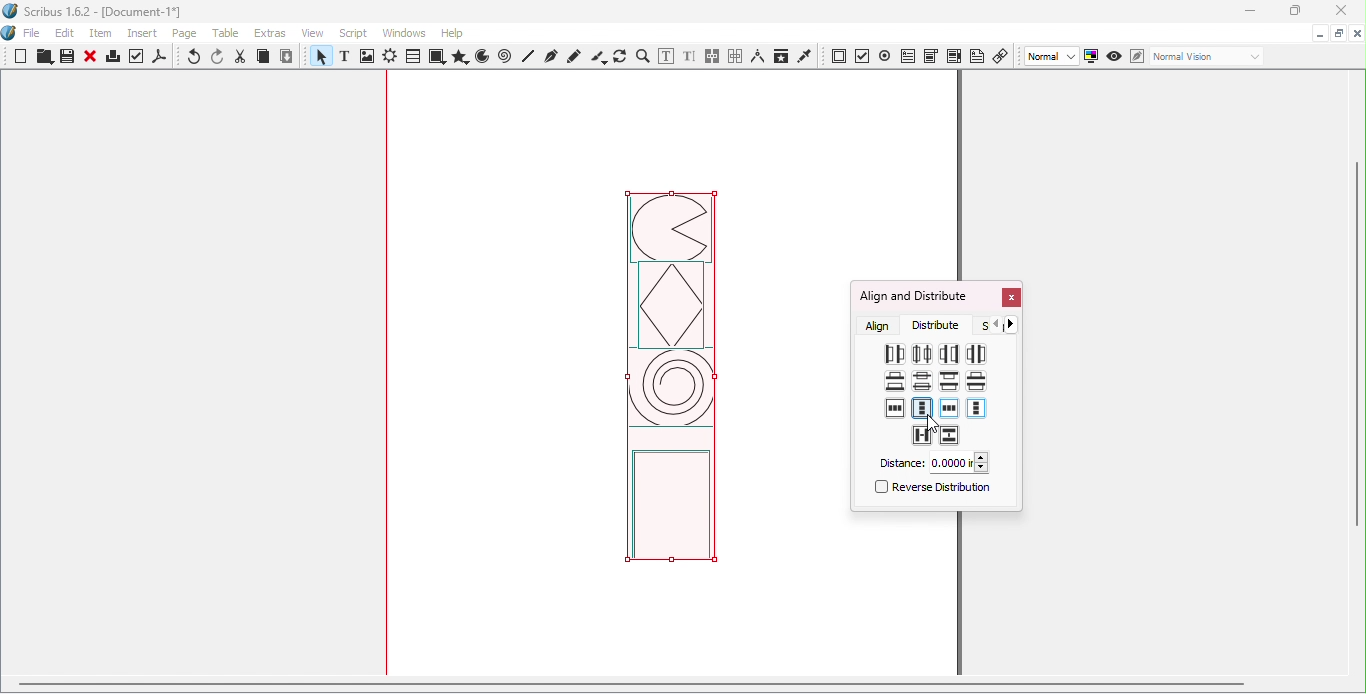  I want to click on Go forward, so click(1015, 324).